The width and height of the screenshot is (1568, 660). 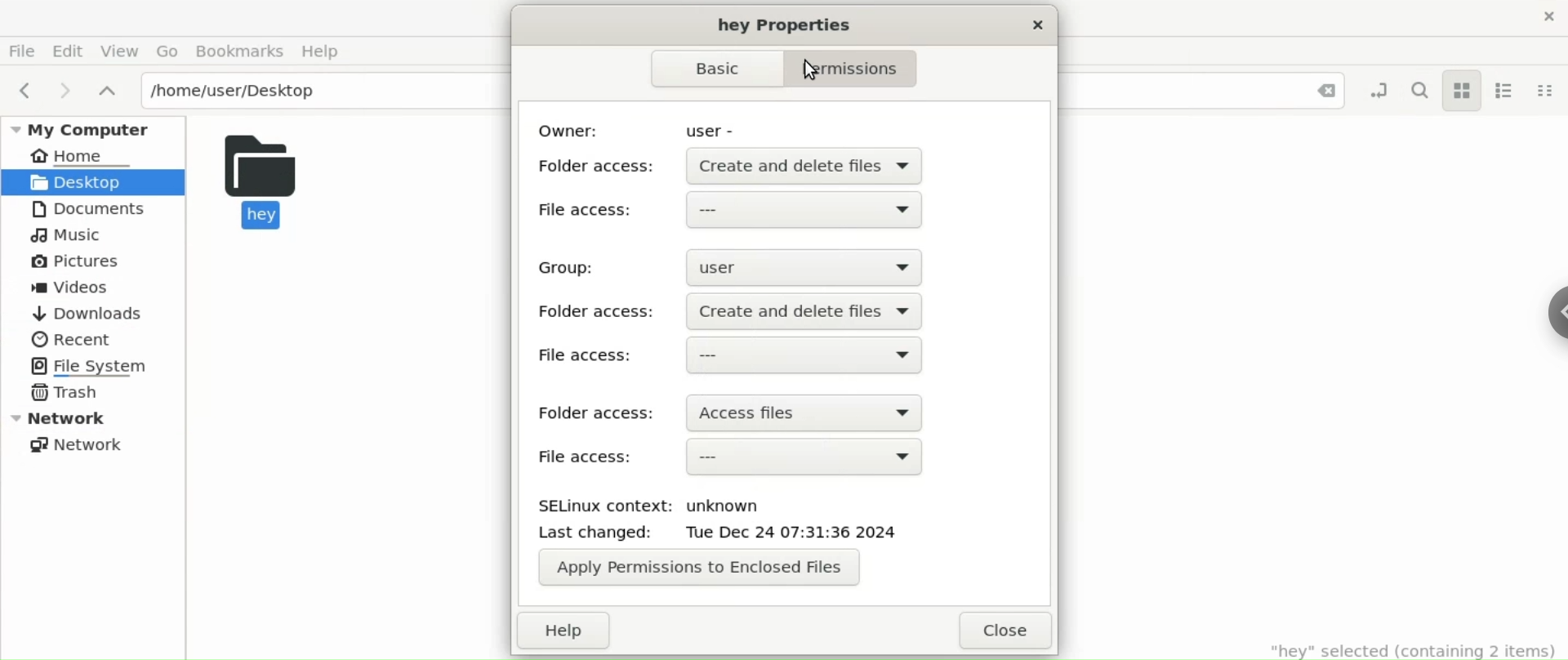 I want to click on View, so click(x=119, y=51).